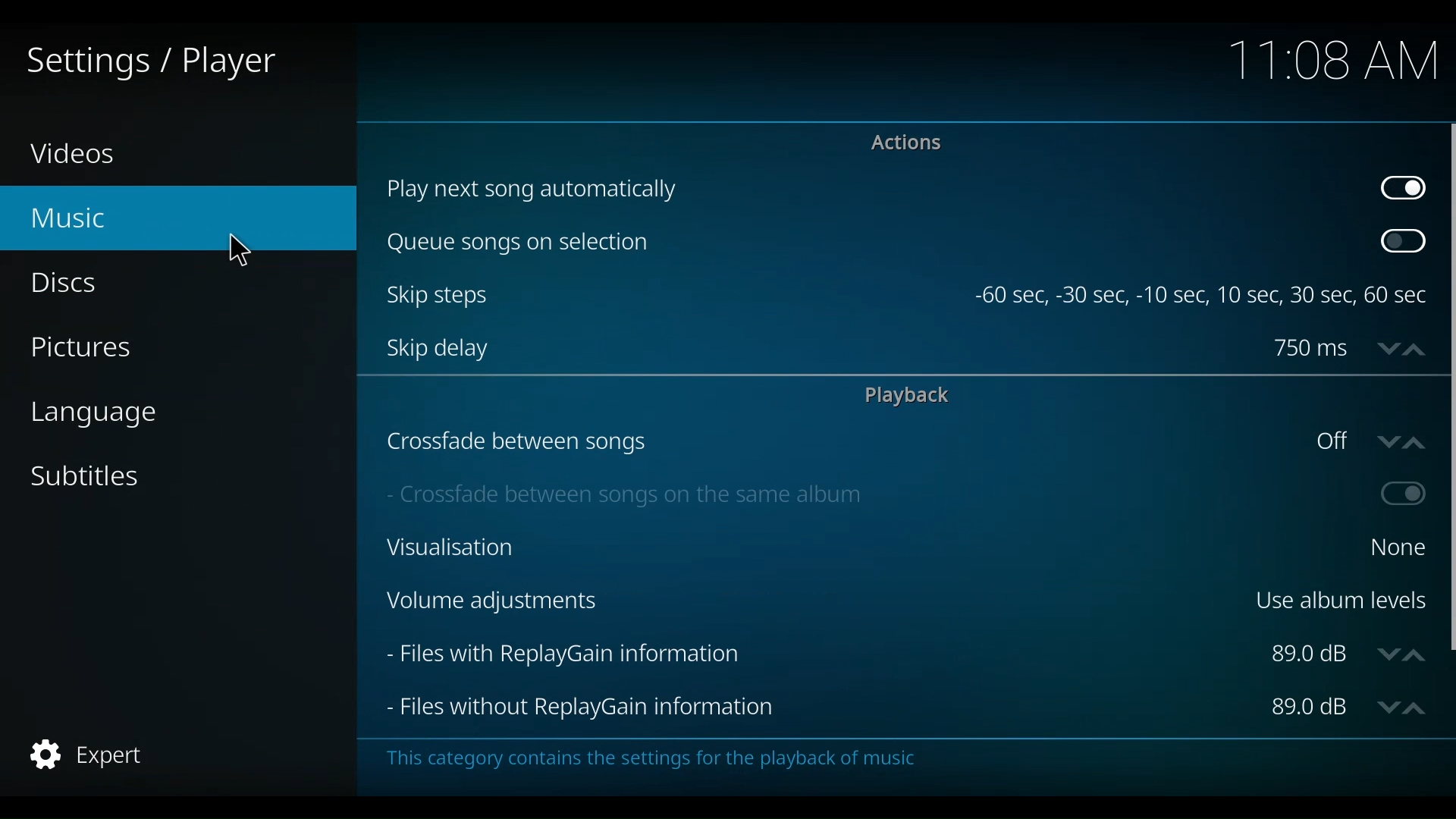 Image resolution: width=1456 pixels, height=819 pixels. I want to click on Crossfade between songs, so click(835, 441).